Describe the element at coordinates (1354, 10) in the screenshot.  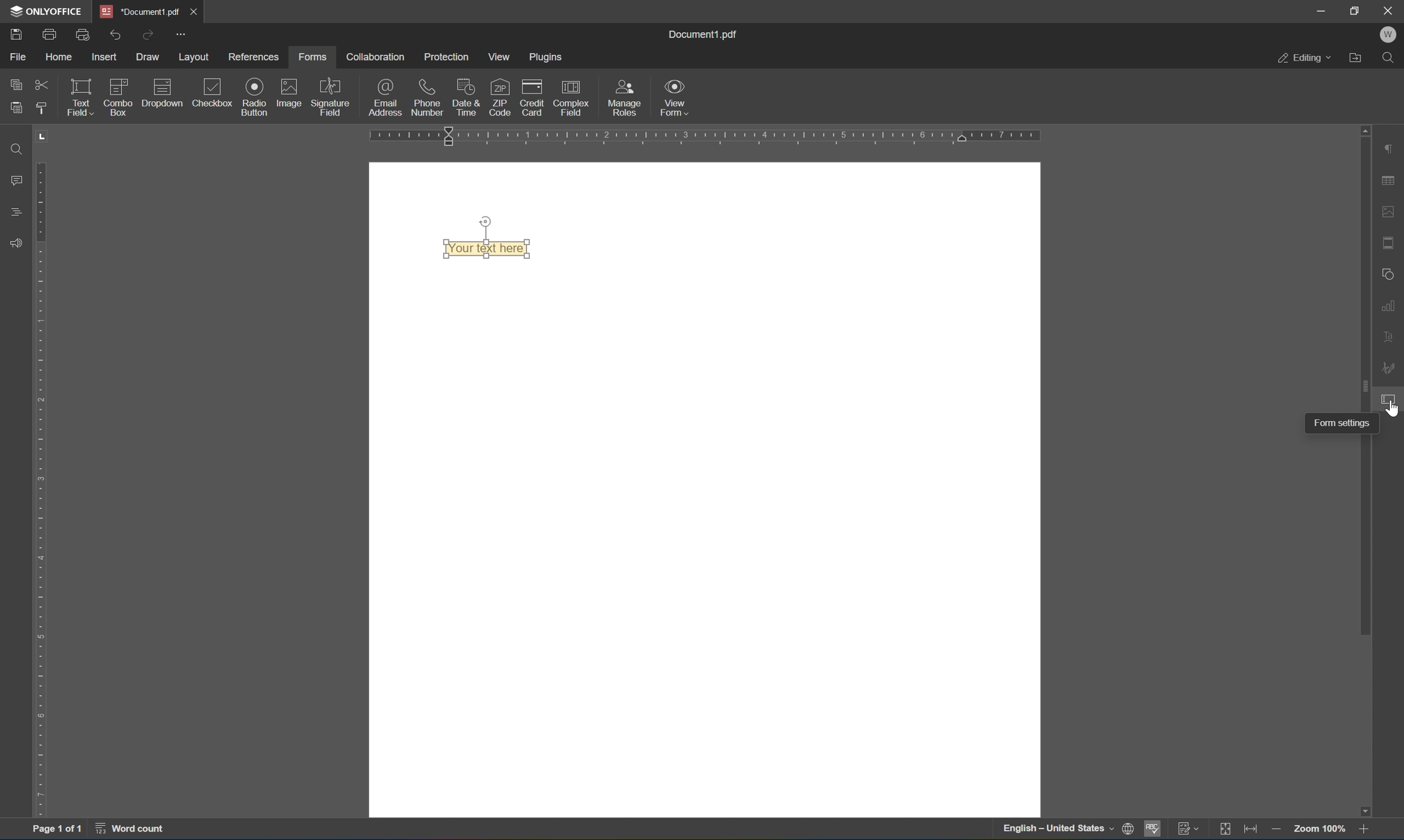
I see `restore down` at that location.